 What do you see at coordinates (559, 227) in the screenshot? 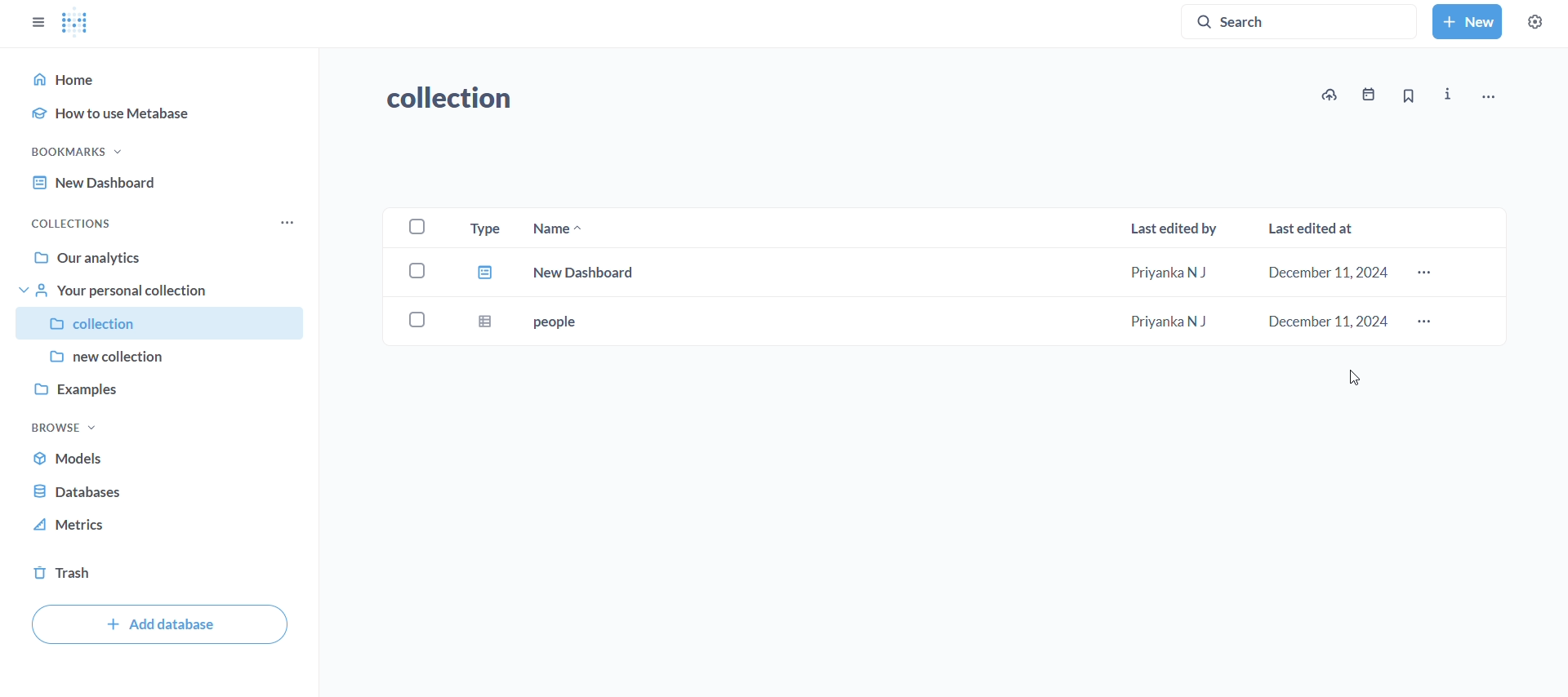
I see `name` at bounding box center [559, 227].